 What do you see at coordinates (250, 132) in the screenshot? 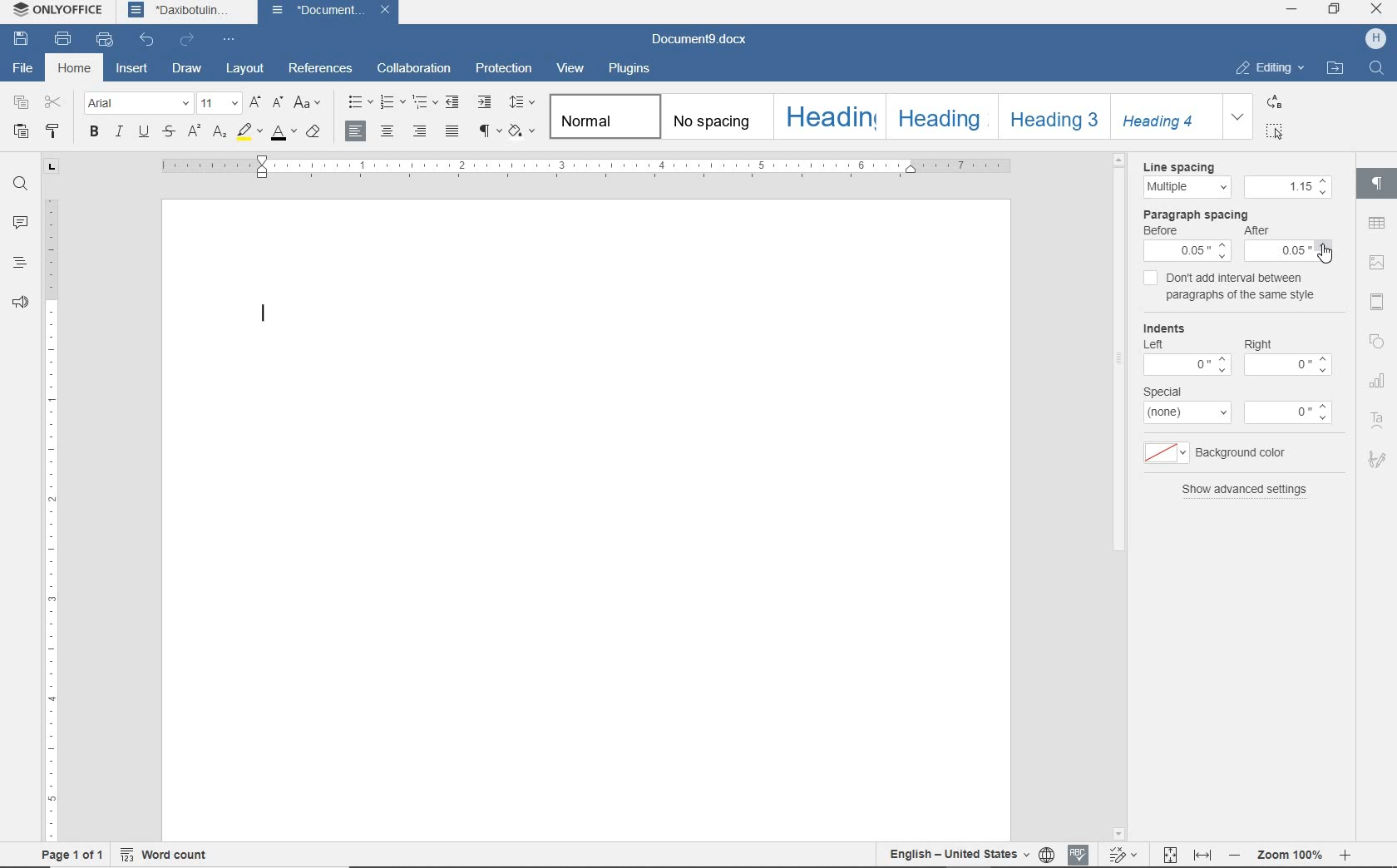
I see `highlight color` at bounding box center [250, 132].